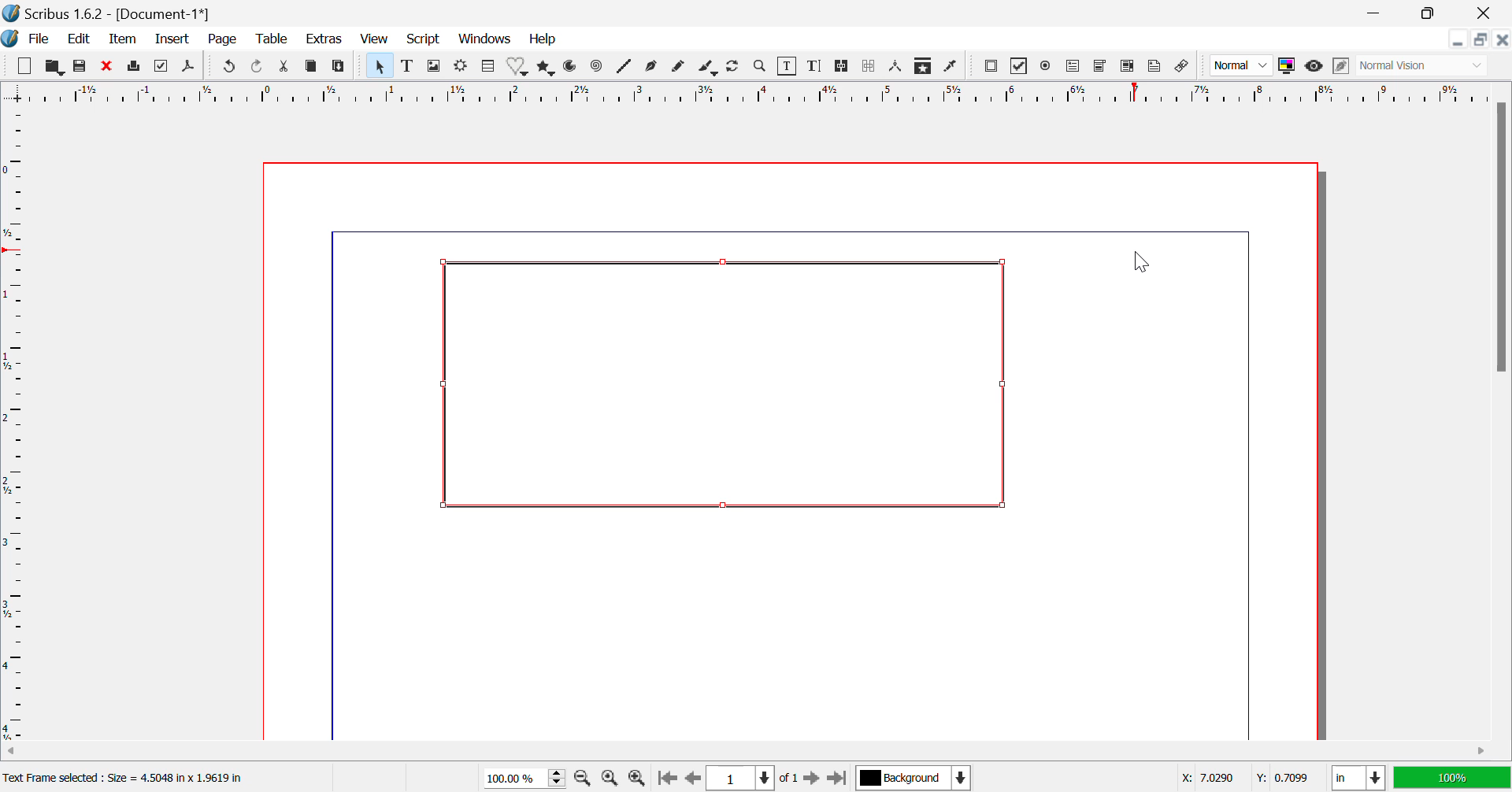 The width and height of the screenshot is (1512, 792). What do you see at coordinates (1125, 67) in the screenshot?
I see `Pdf List box` at bounding box center [1125, 67].